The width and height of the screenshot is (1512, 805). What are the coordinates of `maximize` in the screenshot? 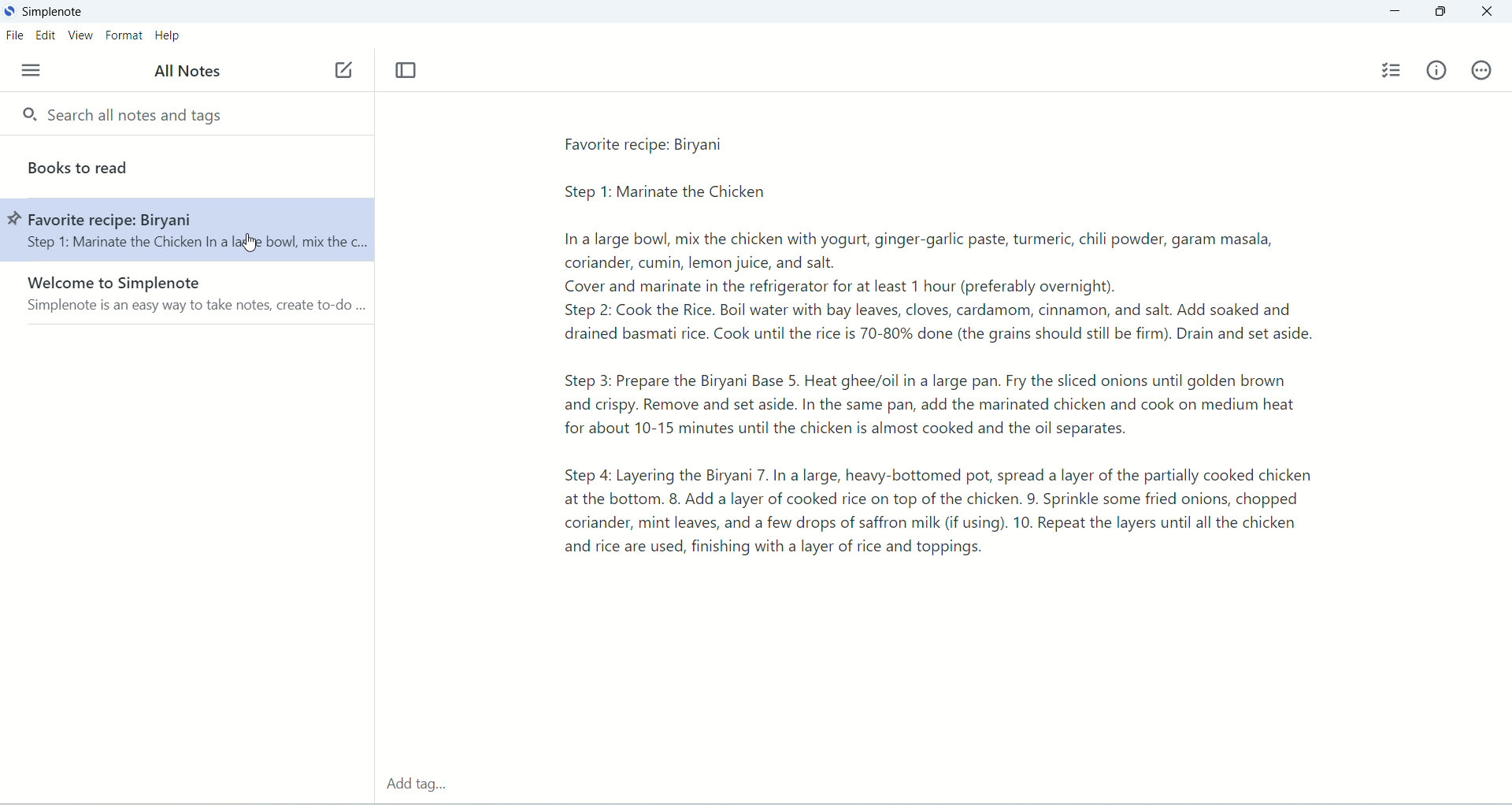 It's located at (1443, 13).